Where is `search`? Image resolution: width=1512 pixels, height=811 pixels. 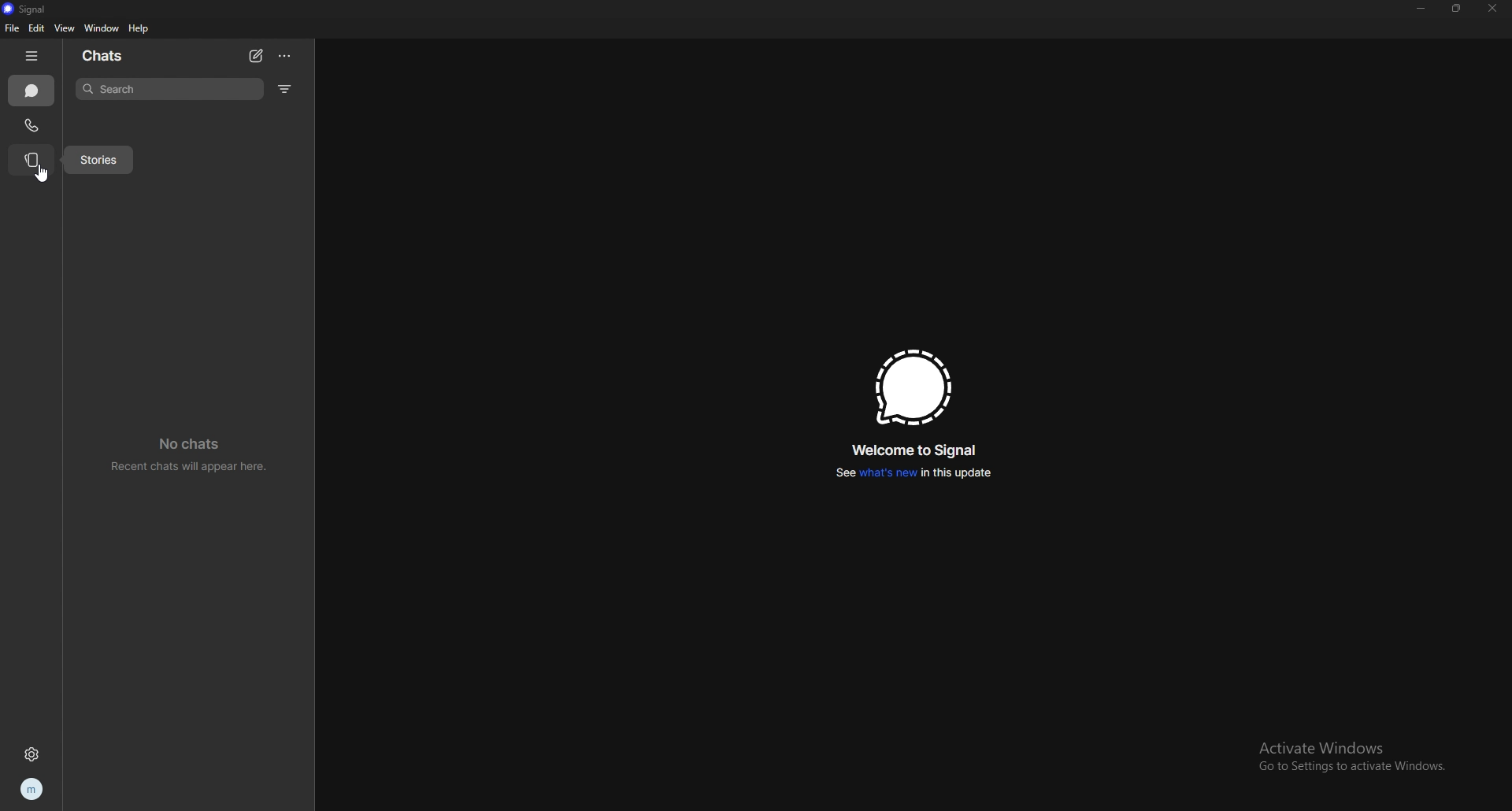
search is located at coordinates (170, 89).